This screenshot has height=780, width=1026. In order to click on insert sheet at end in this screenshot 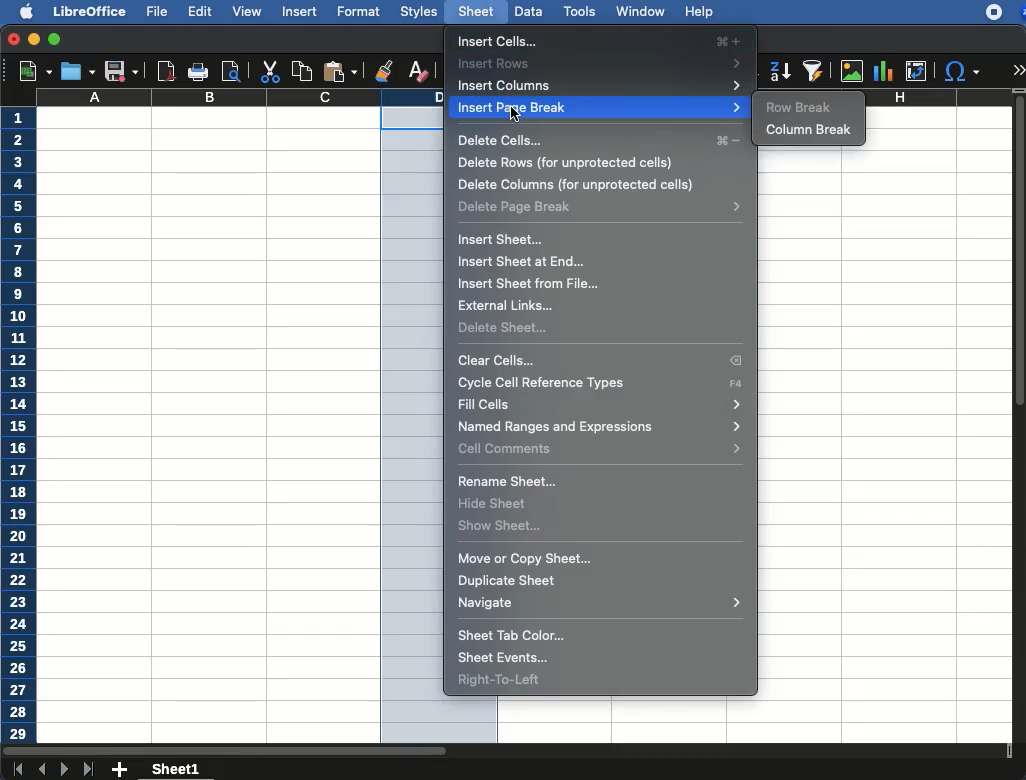, I will do `click(524, 261)`.